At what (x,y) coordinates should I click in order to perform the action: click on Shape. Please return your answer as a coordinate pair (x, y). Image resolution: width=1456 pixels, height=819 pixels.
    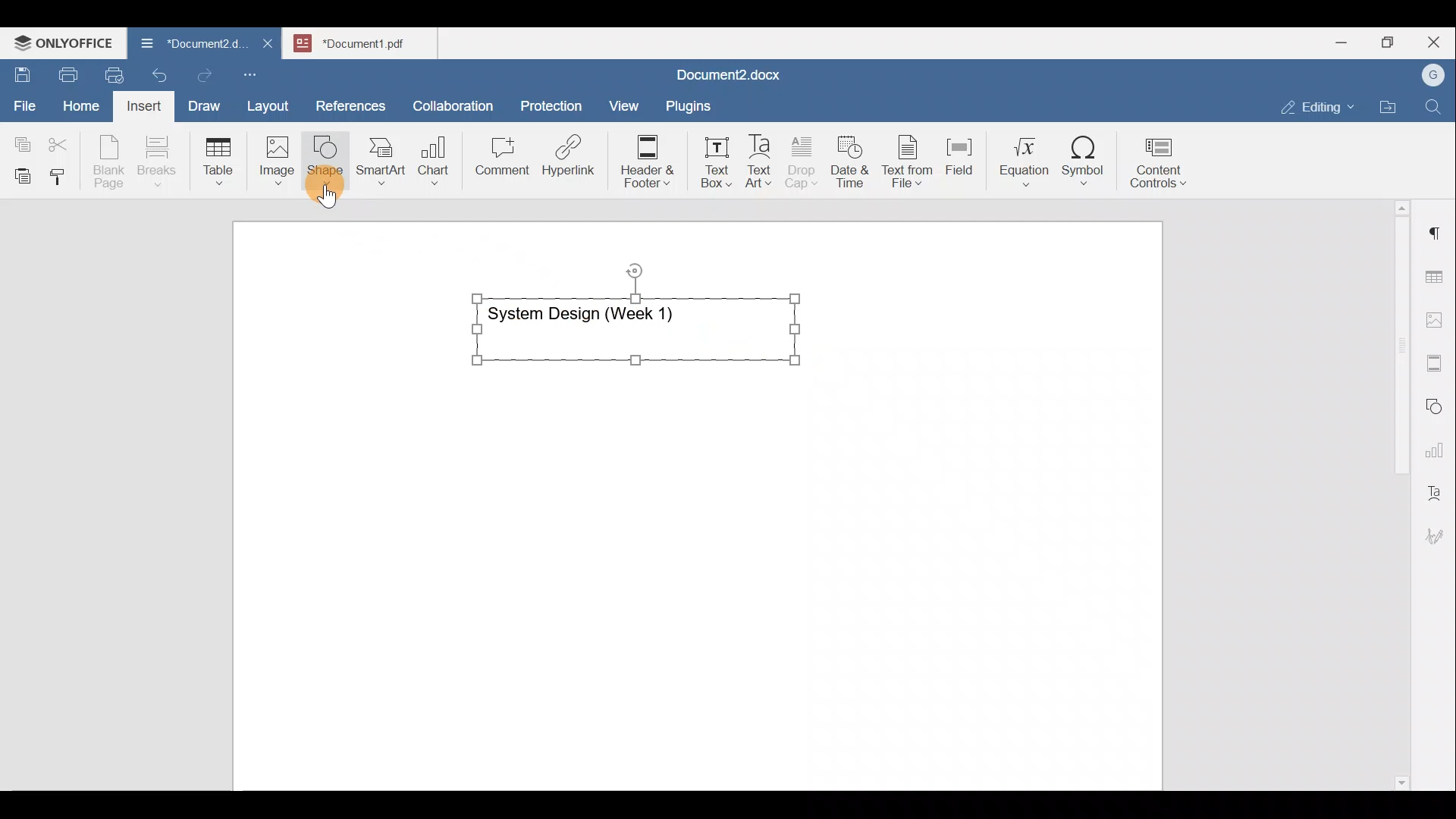
    Looking at the image, I should click on (327, 153).